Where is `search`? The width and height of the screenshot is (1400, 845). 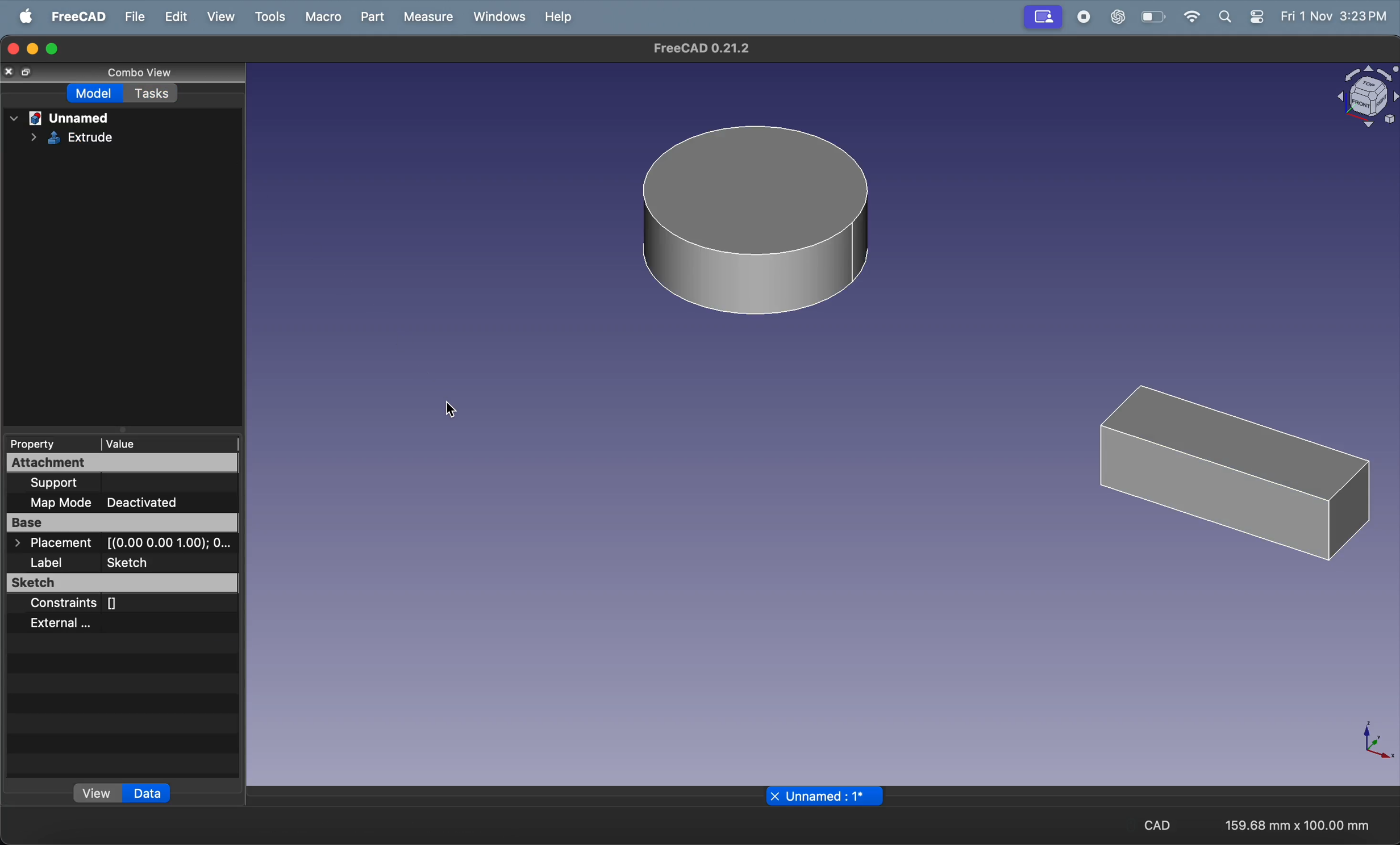 search is located at coordinates (1226, 17).